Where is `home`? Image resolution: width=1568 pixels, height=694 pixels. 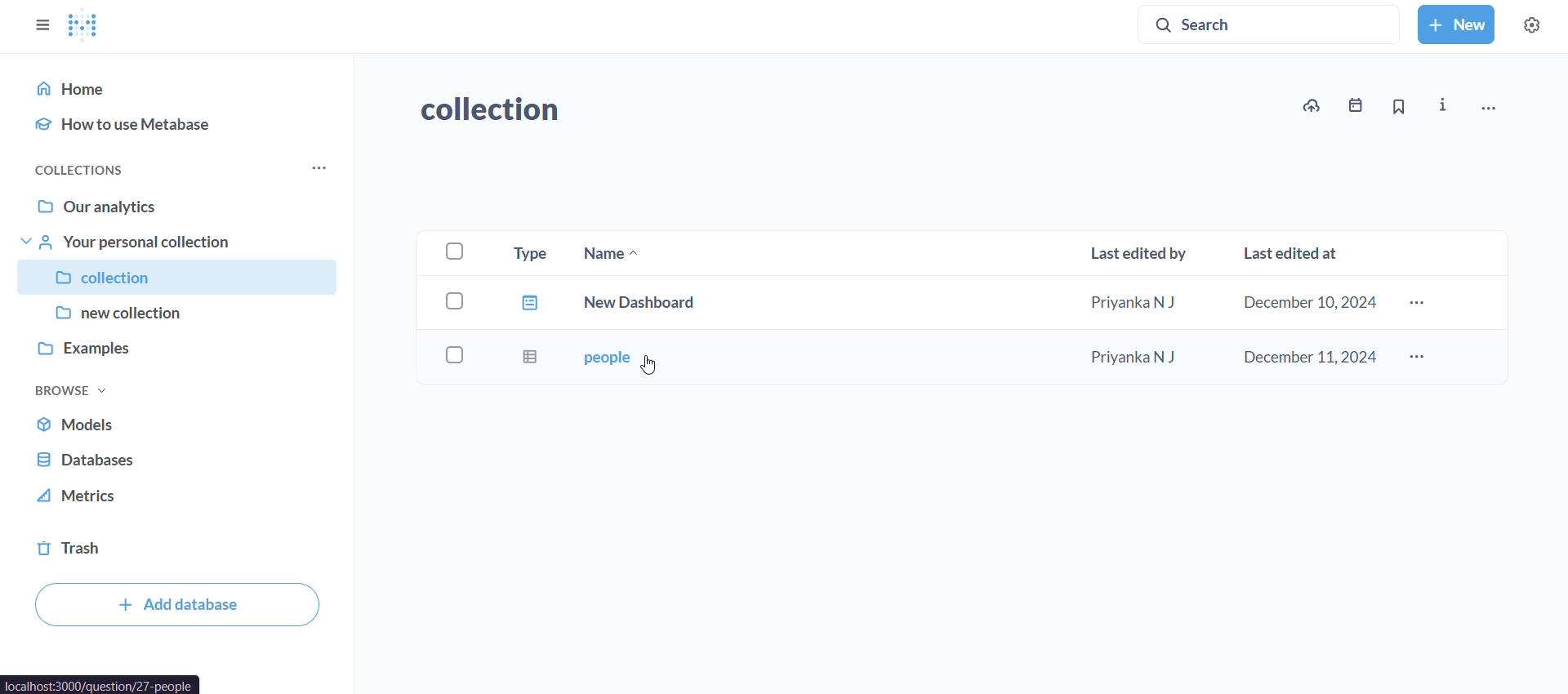
home is located at coordinates (186, 88).